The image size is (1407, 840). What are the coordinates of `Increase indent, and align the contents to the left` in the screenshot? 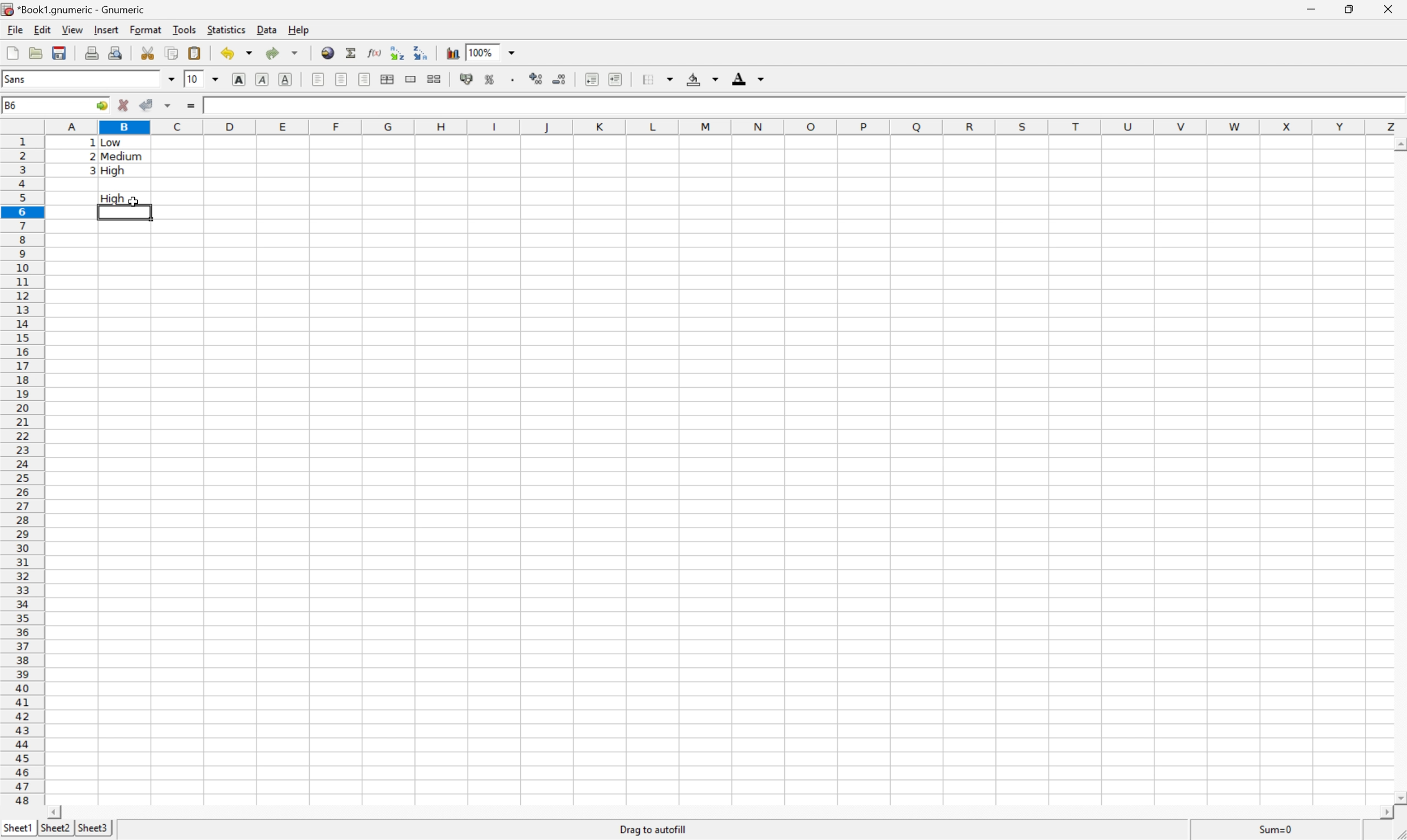 It's located at (615, 77).